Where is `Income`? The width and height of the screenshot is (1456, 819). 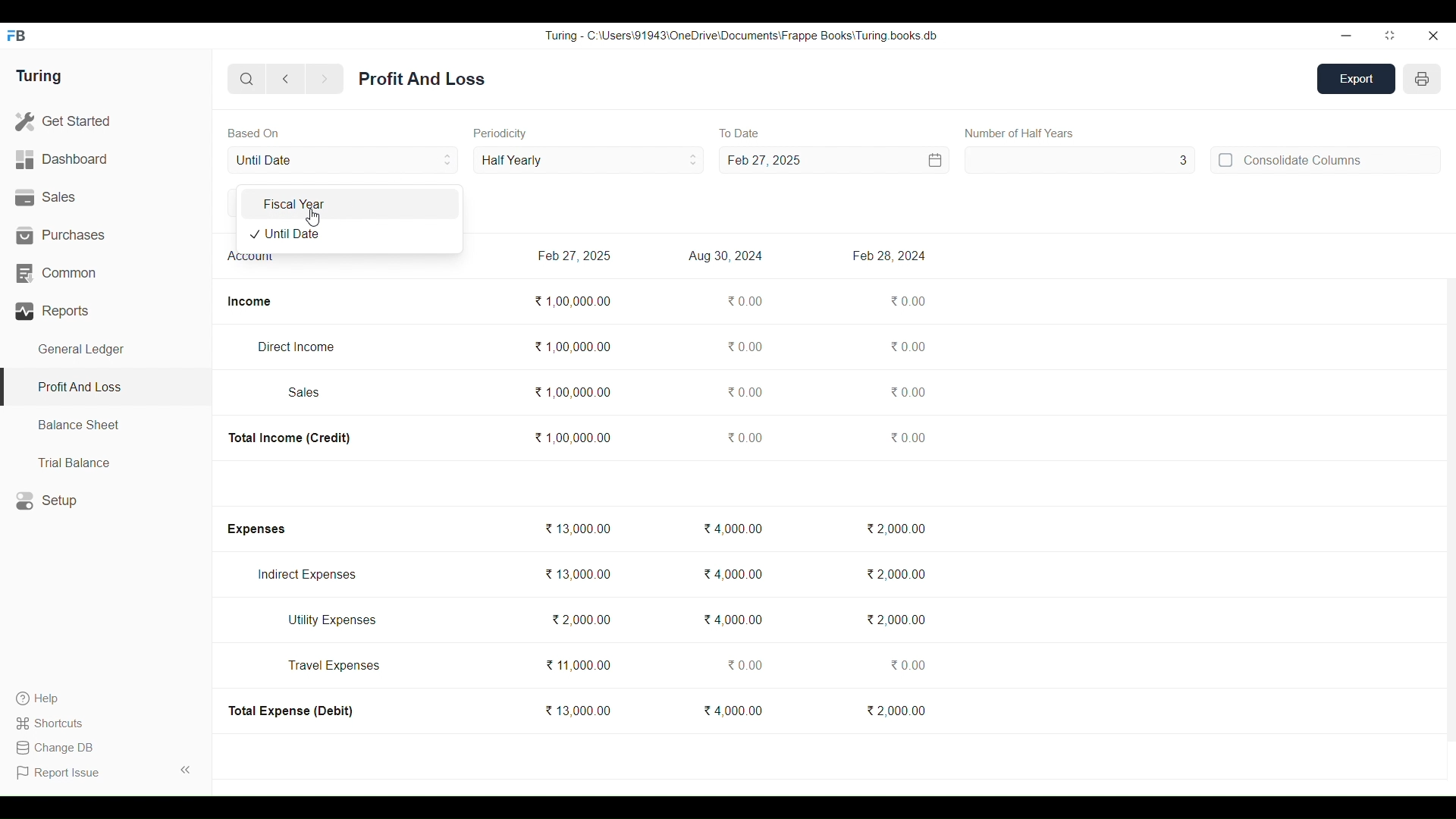 Income is located at coordinates (249, 302).